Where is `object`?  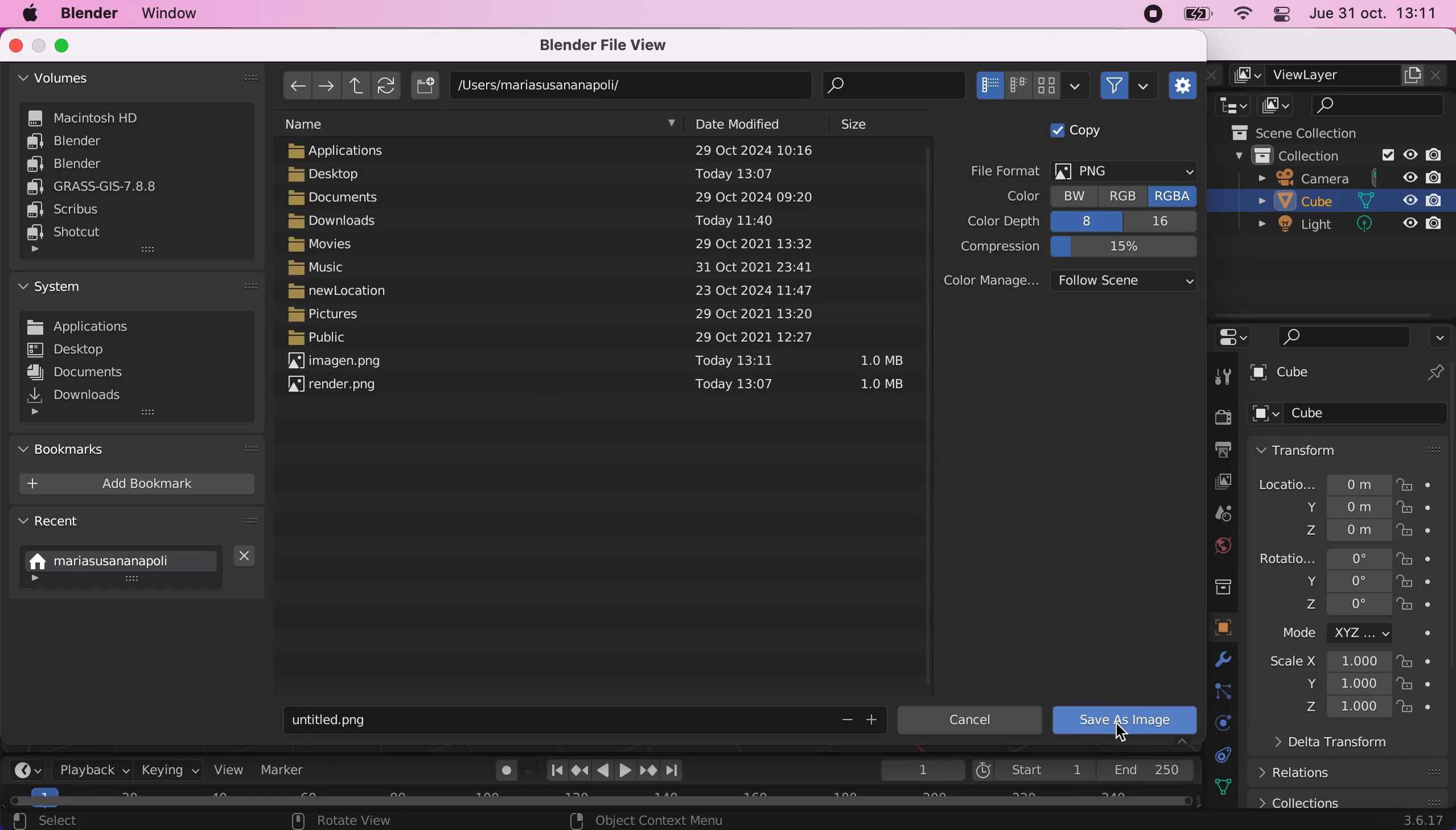 object is located at coordinates (1223, 628).